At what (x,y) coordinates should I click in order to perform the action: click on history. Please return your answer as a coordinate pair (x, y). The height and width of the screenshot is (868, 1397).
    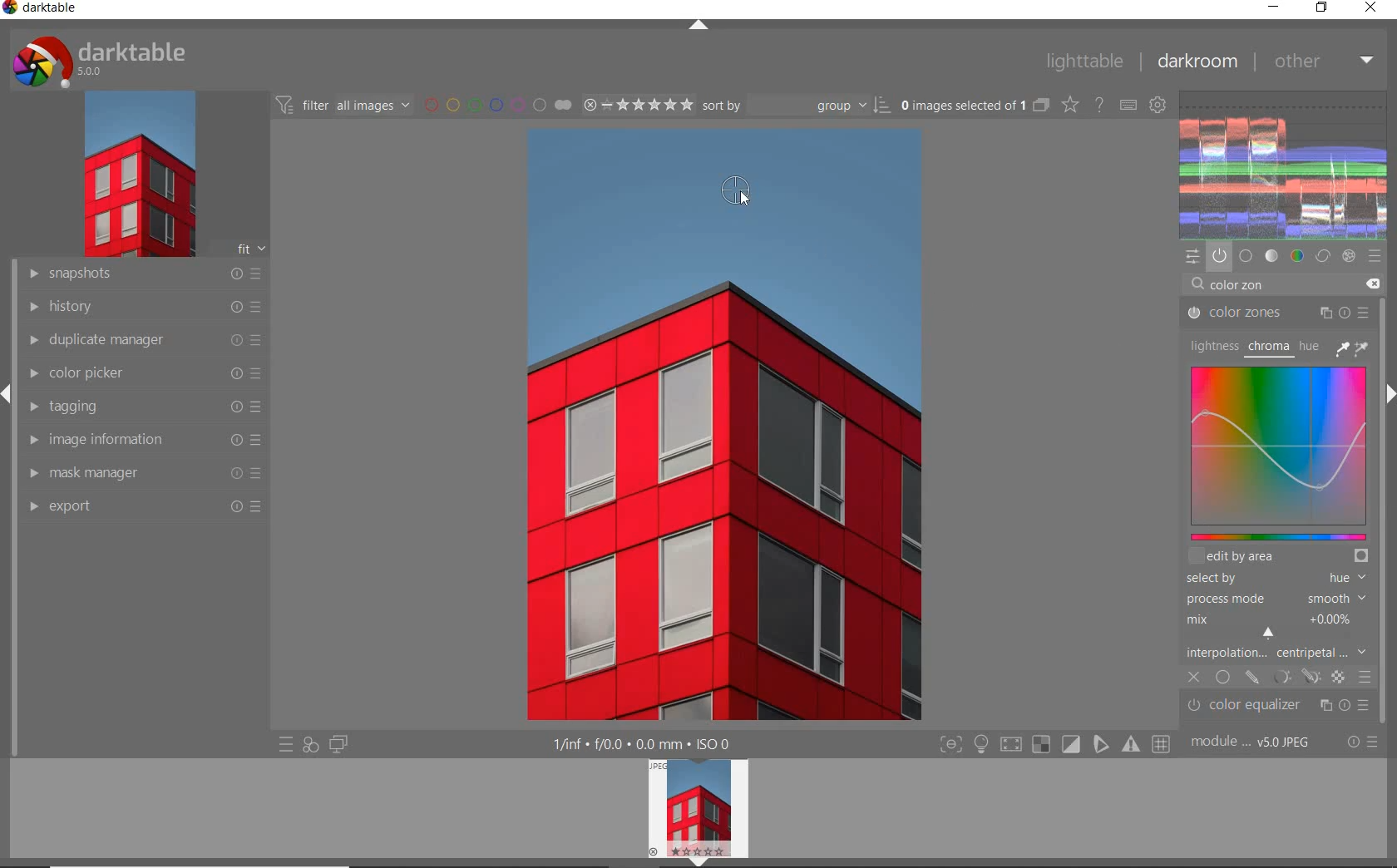
    Looking at the image, I should click on (141, 308).